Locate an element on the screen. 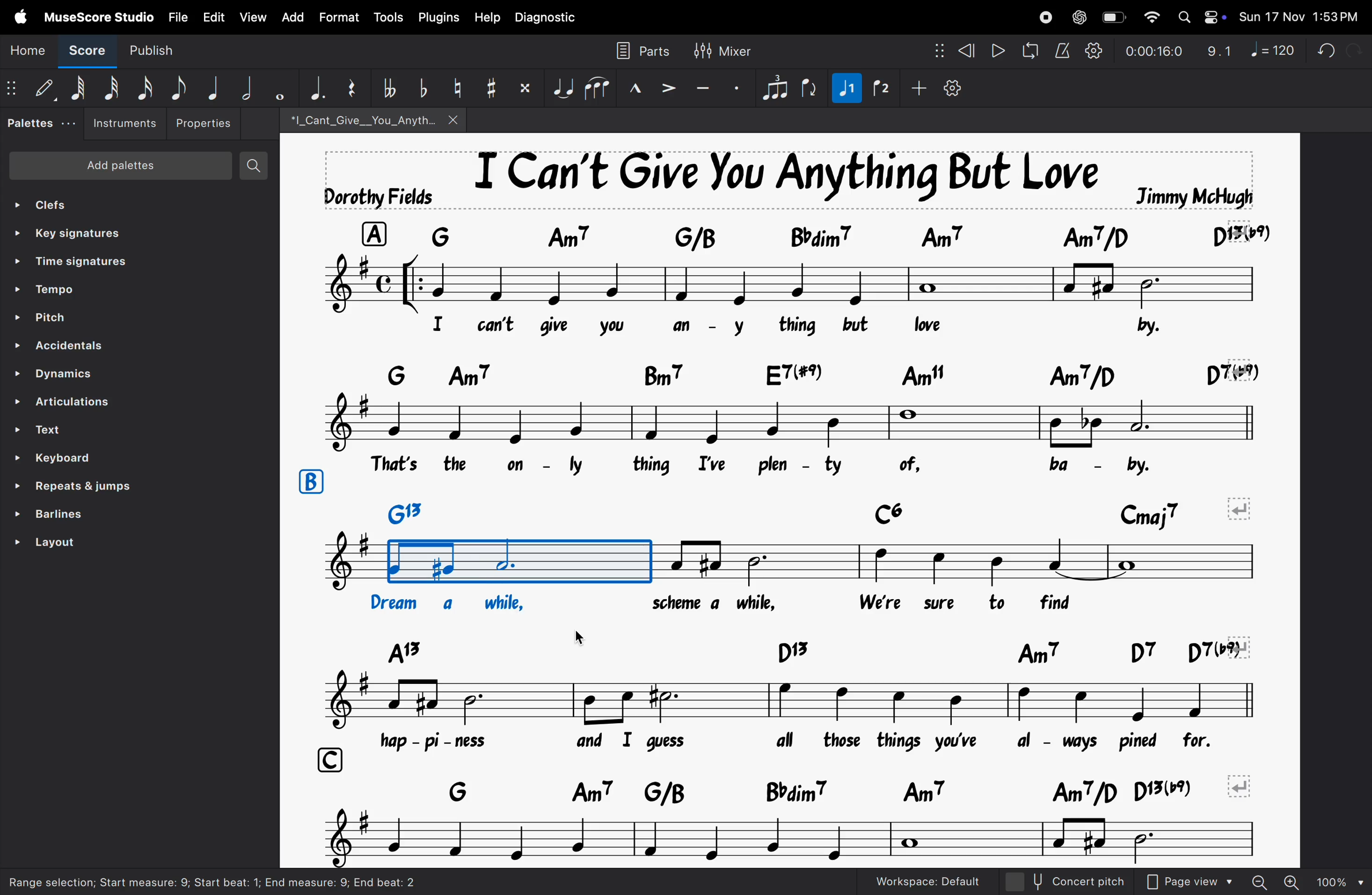 The image size is (1372, 895). keyboard notes is located at coordinates (748, 374).